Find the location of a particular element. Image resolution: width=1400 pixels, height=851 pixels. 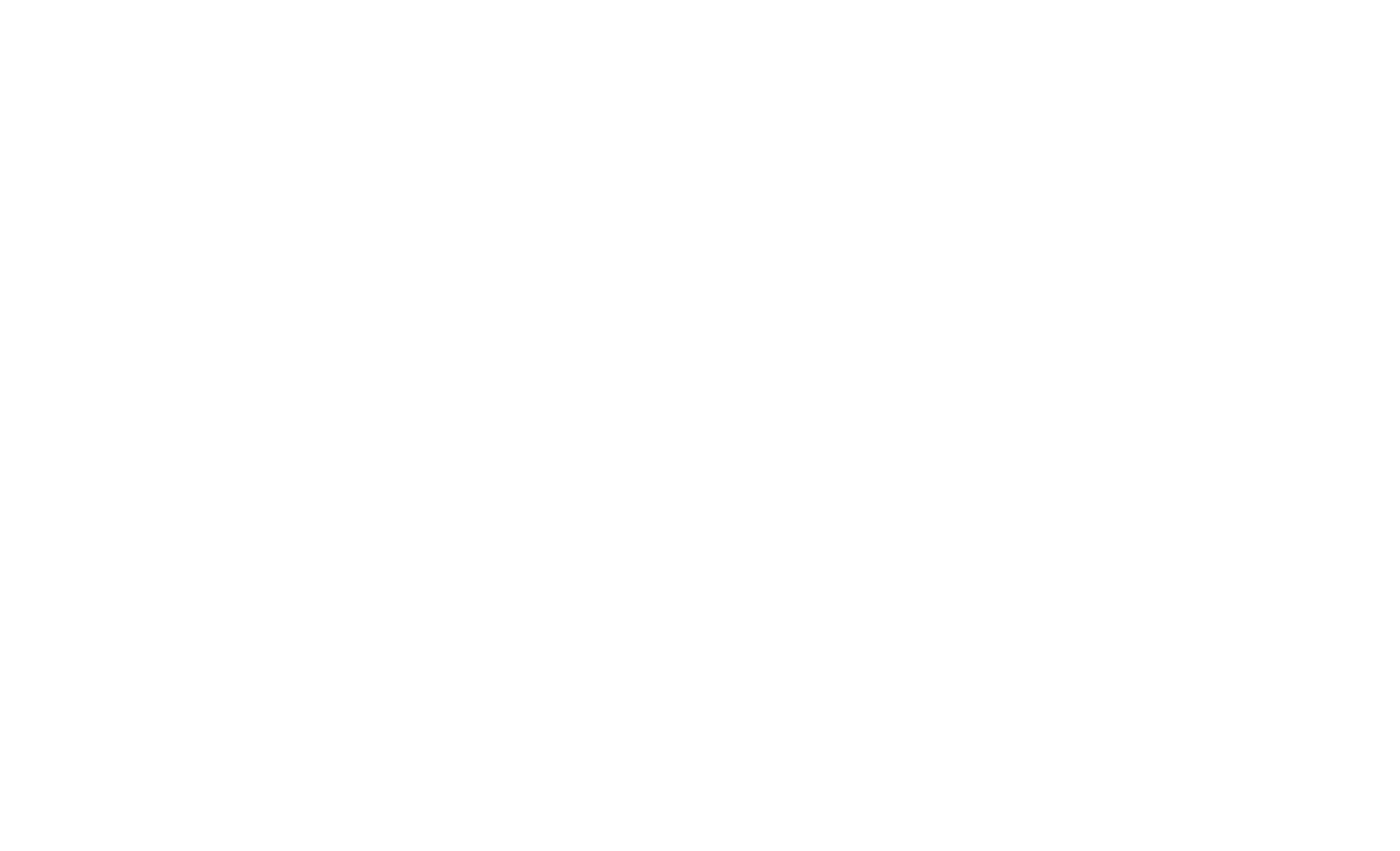

Delete is located at coordinates (1080, 658).